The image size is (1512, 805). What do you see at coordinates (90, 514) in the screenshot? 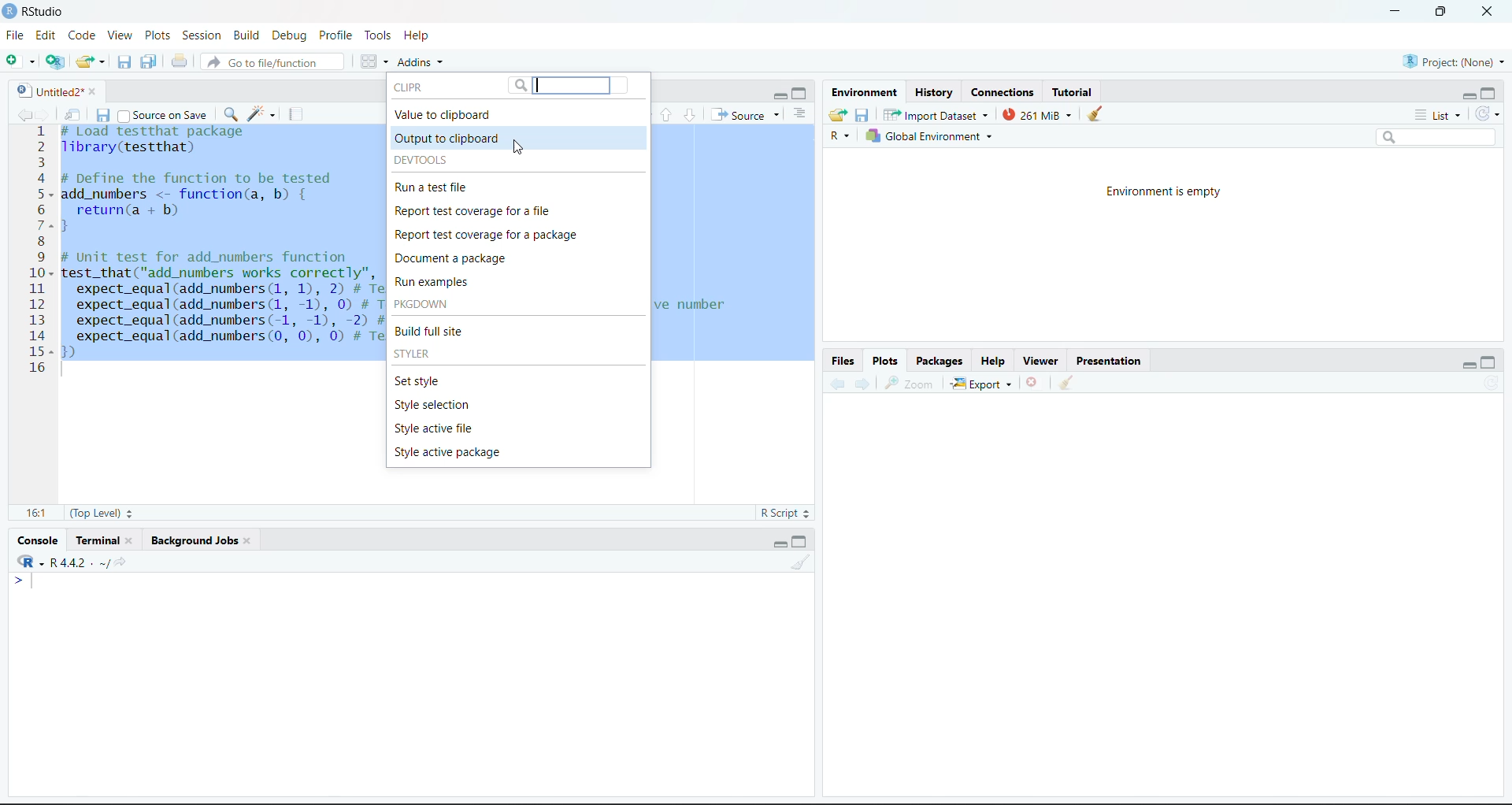
I see `(Top Level)` at bounding box center [90, 514].